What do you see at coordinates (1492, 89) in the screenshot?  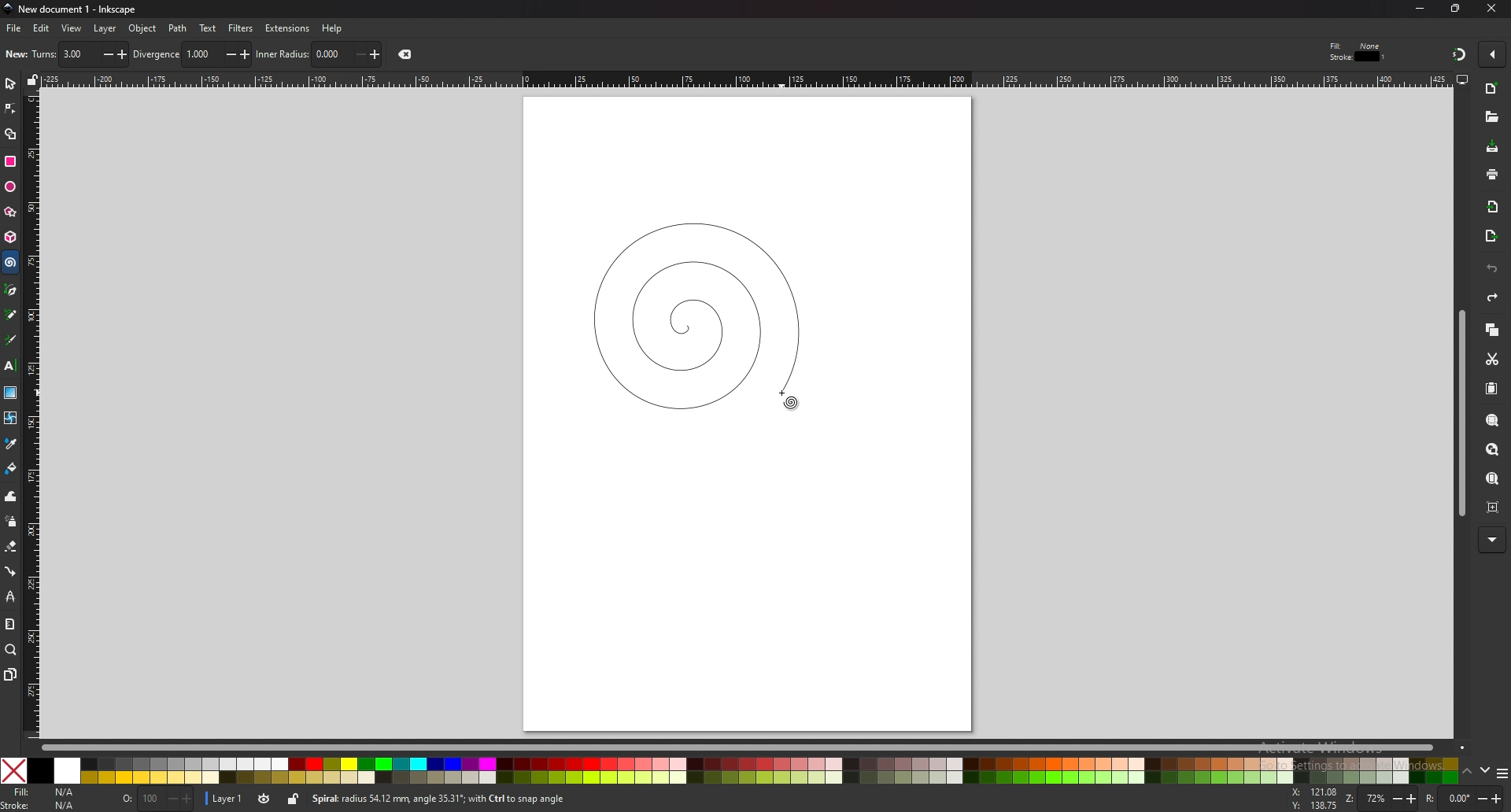 I see `new` at bounding box center [1492, 89].